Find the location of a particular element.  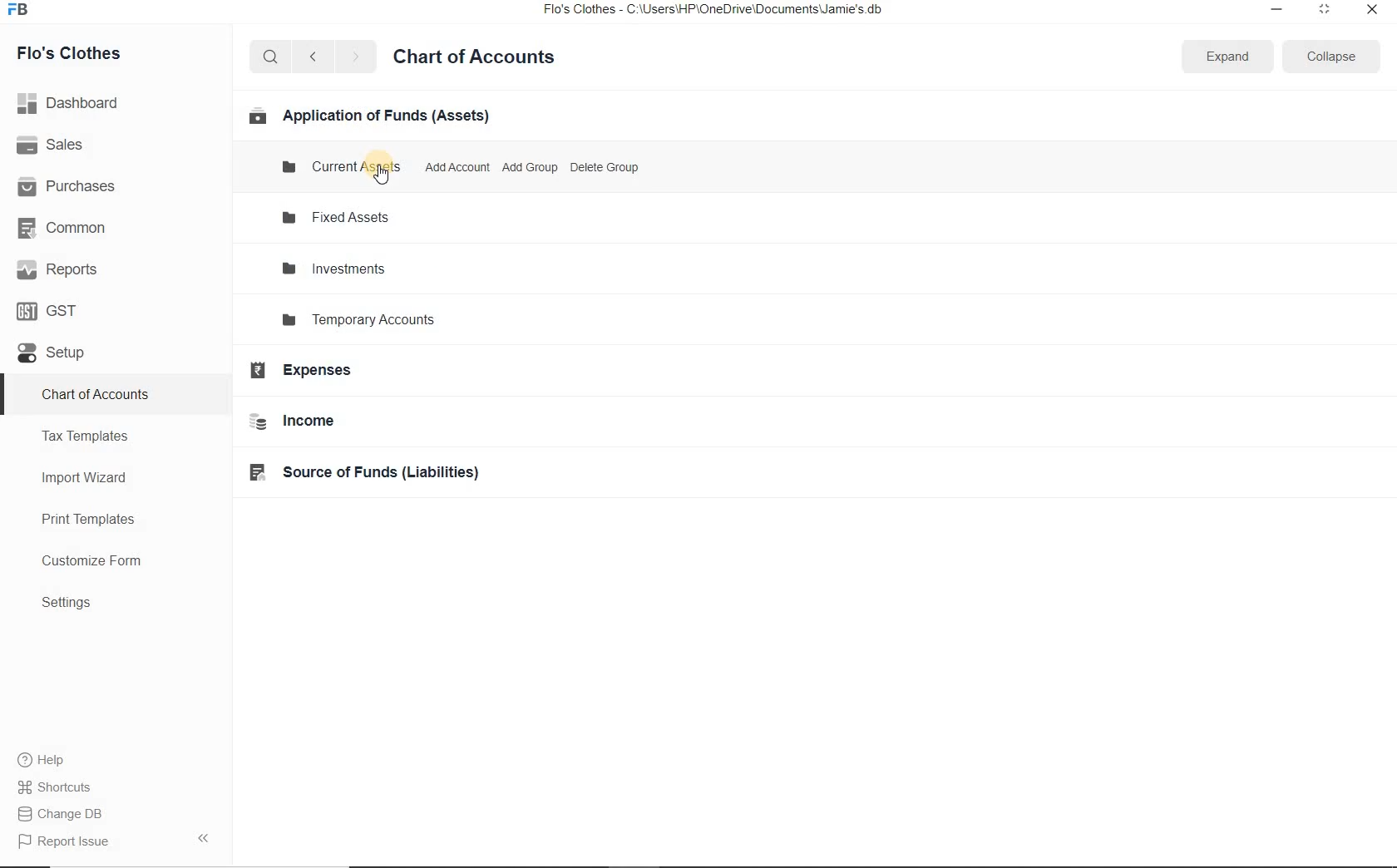

Change DB is located at coordinates (62, 812).